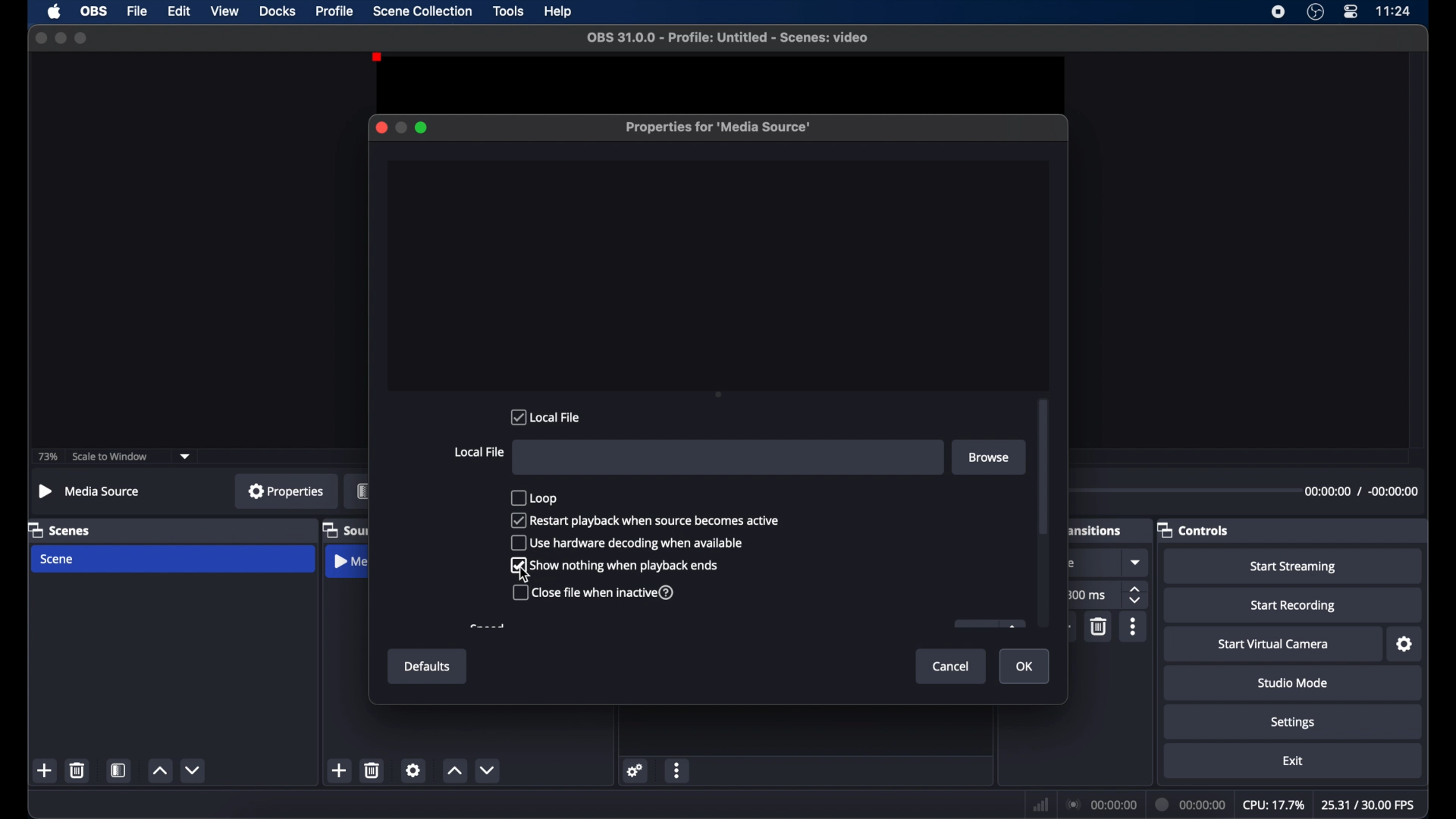 The height and width of the screenshot is (819, 1456). I want to click on network, so click(1040, 805).